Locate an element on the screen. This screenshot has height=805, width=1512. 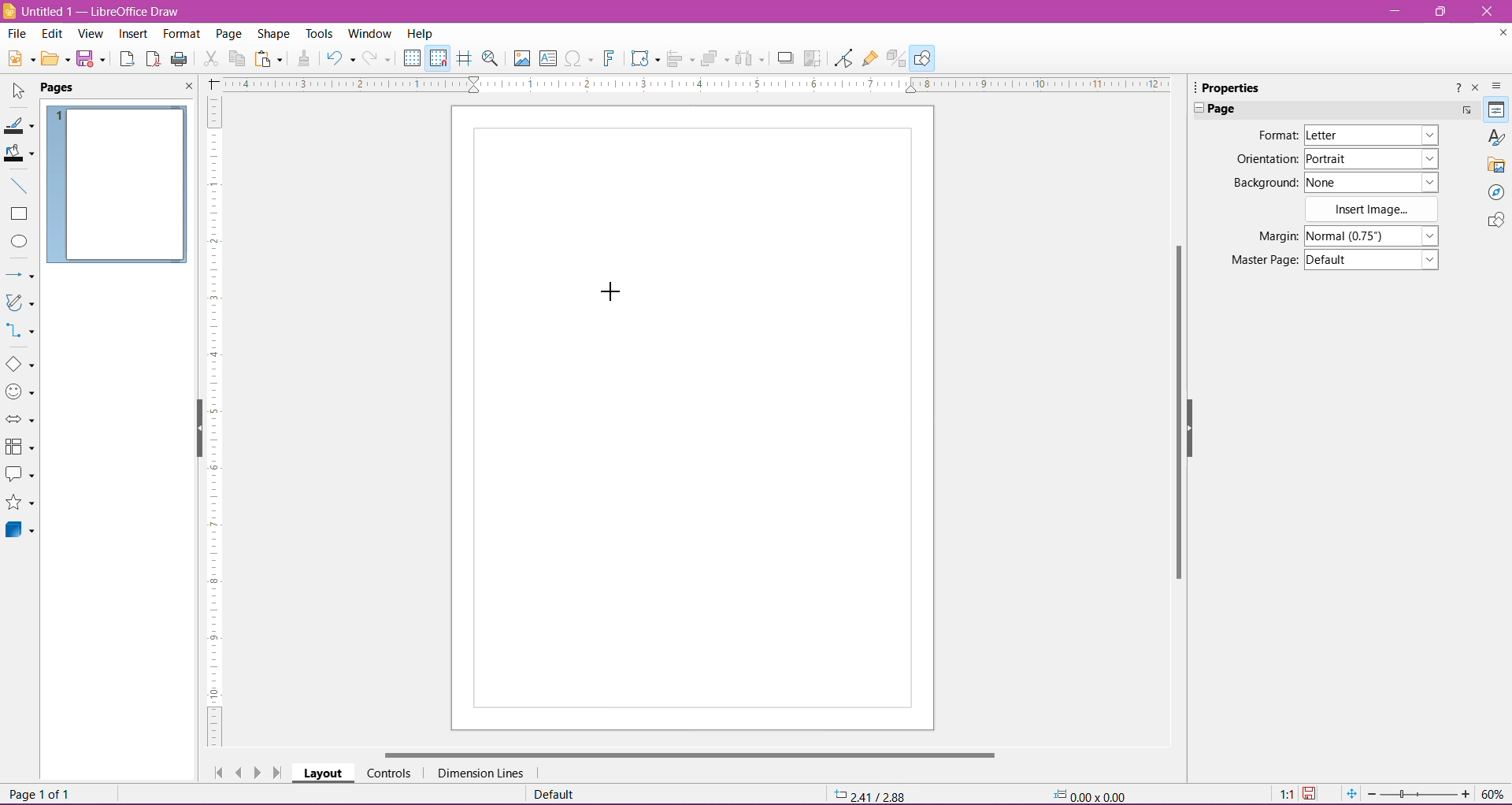
Scroll to next page is located at coordinates (260, 772).